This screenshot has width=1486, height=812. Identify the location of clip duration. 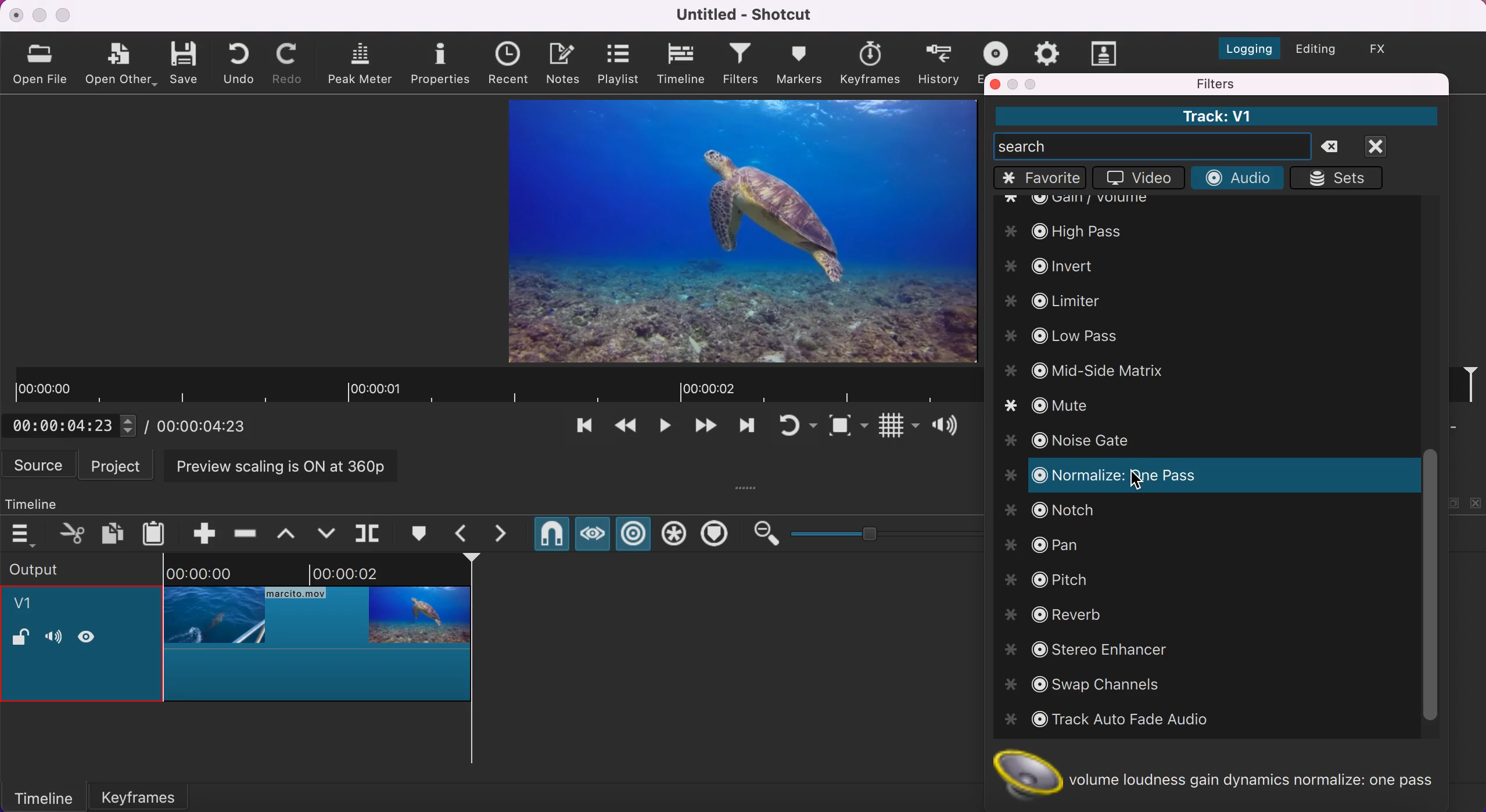
(494, 386).